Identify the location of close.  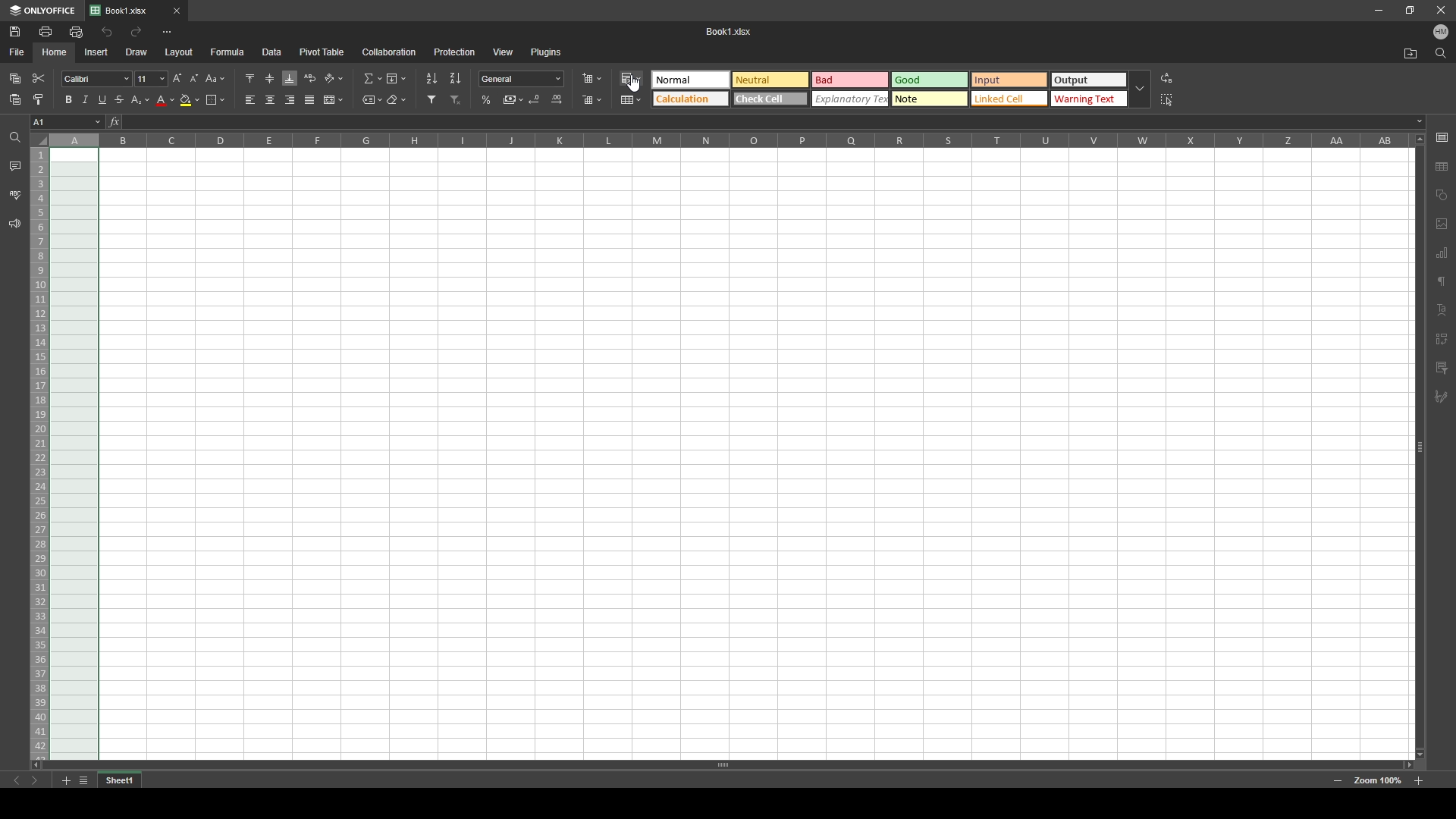
(1441, 11).